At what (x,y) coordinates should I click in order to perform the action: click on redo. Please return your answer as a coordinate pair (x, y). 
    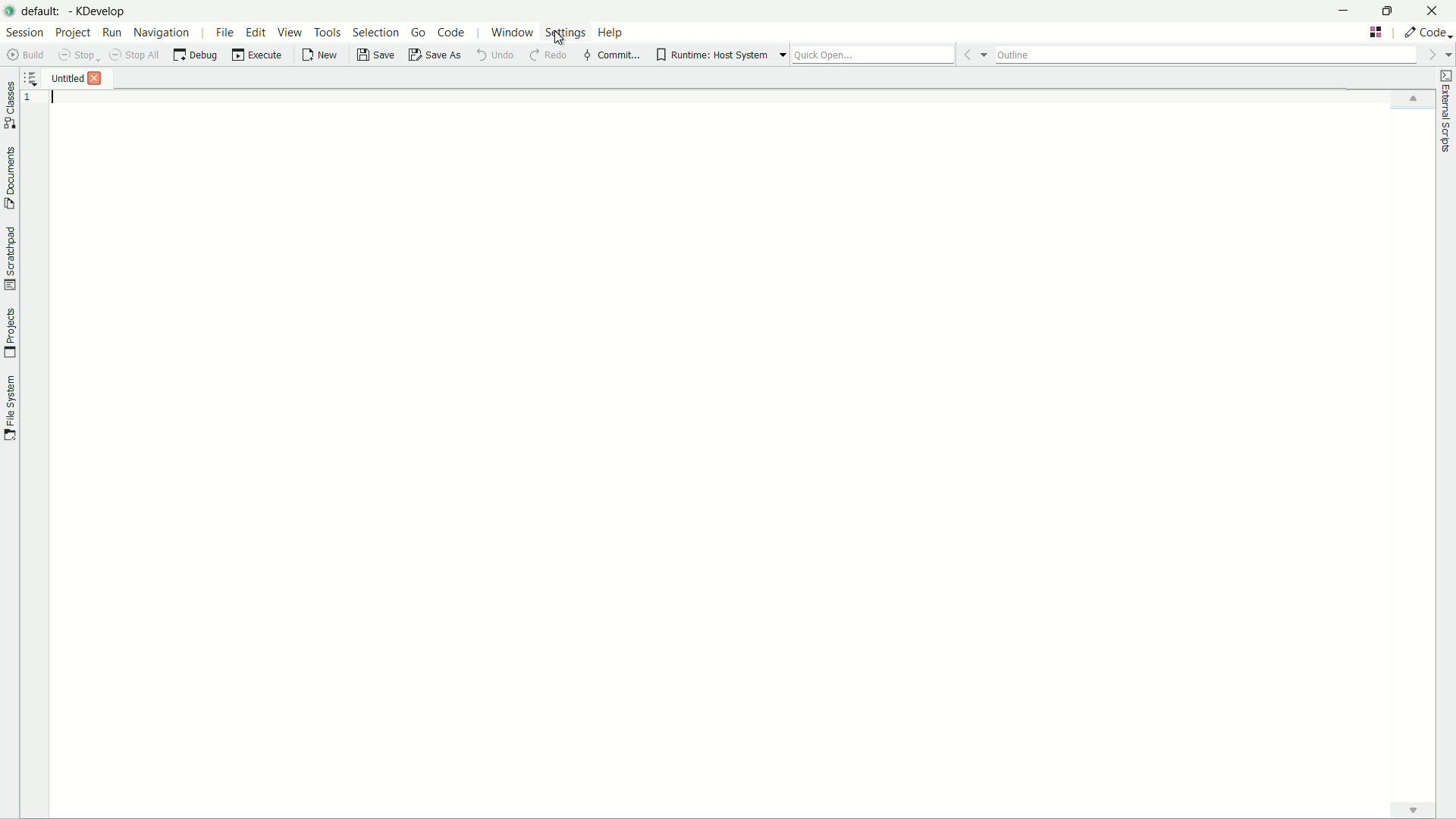
    Looking at the image, I should click on (548, 55).